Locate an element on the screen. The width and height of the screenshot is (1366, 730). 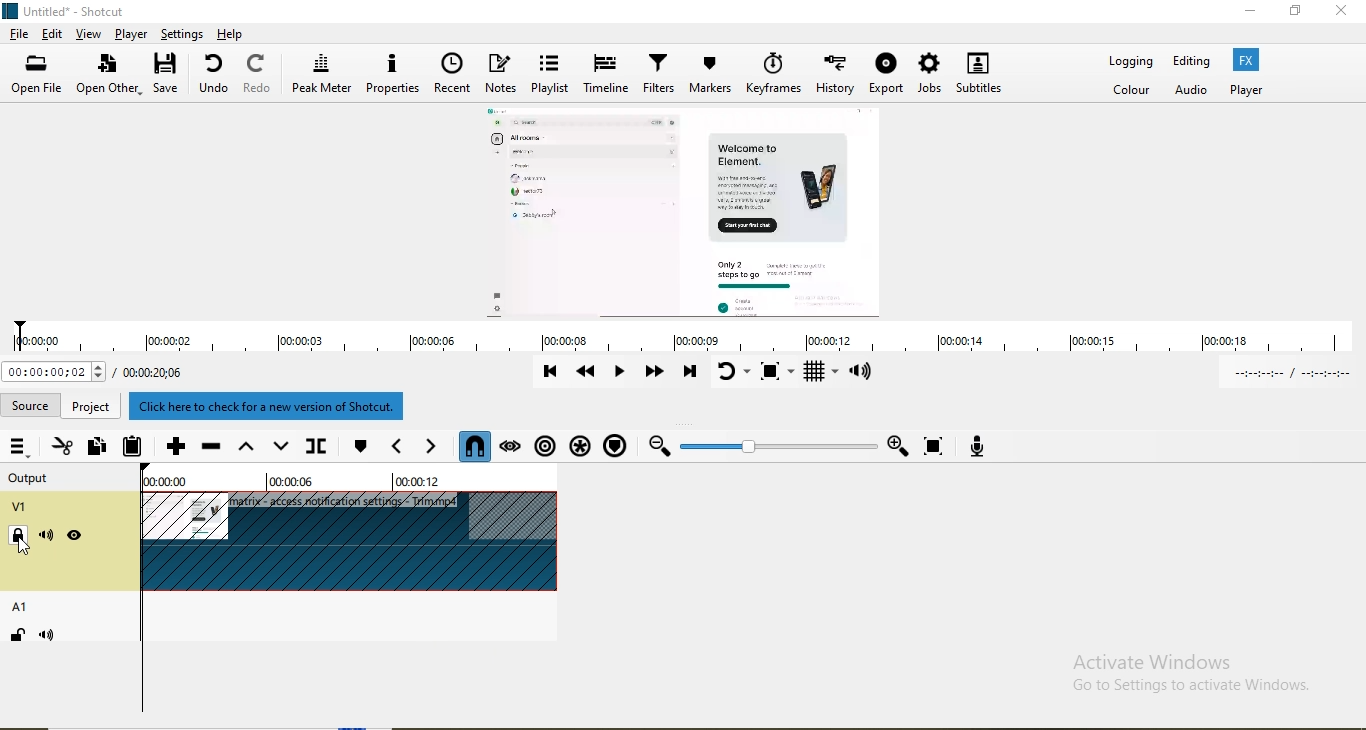
Keyframes is located at coordinates (776, 74).